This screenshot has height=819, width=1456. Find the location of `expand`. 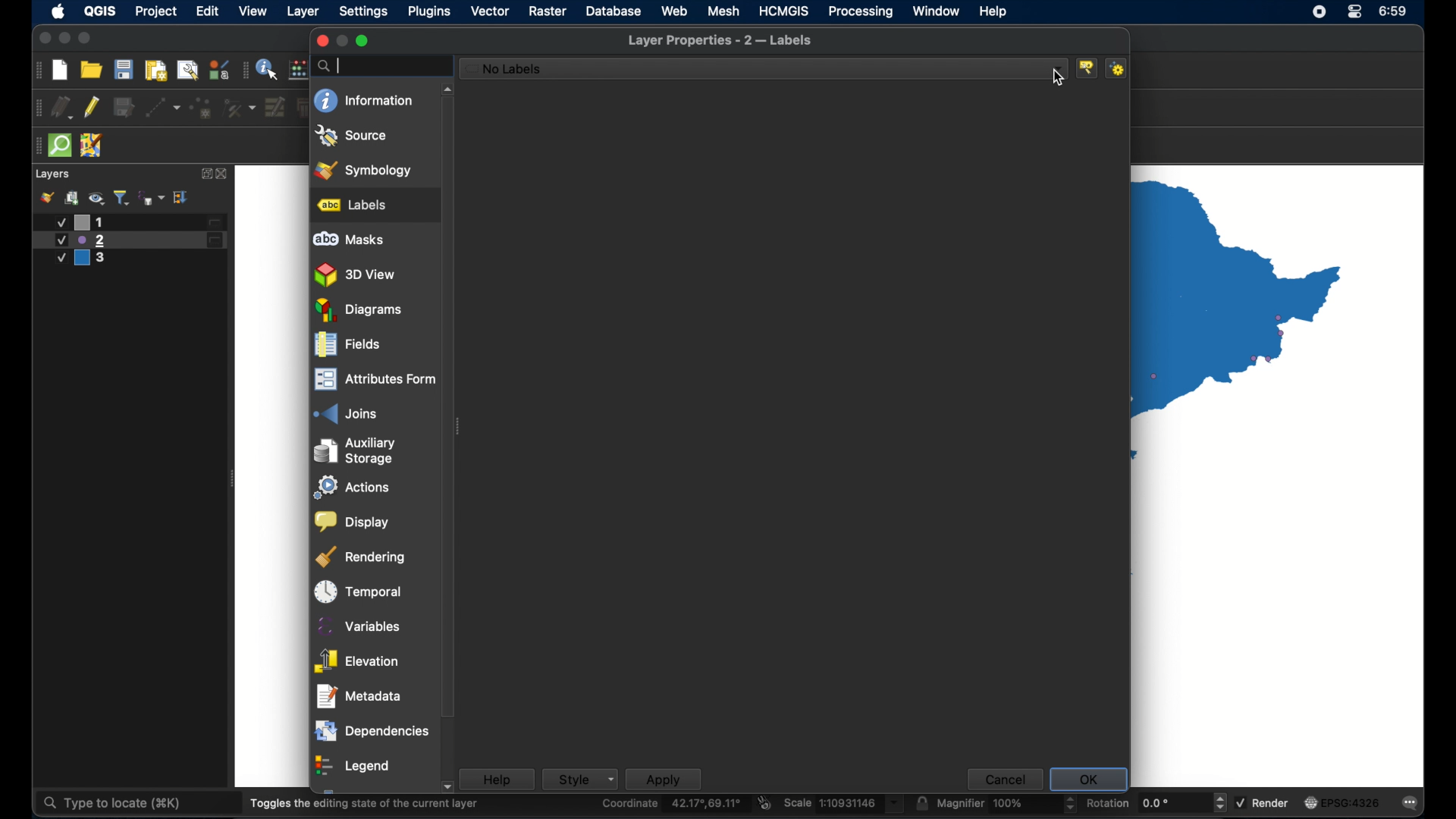

expand is located at coordinates (204, 174).